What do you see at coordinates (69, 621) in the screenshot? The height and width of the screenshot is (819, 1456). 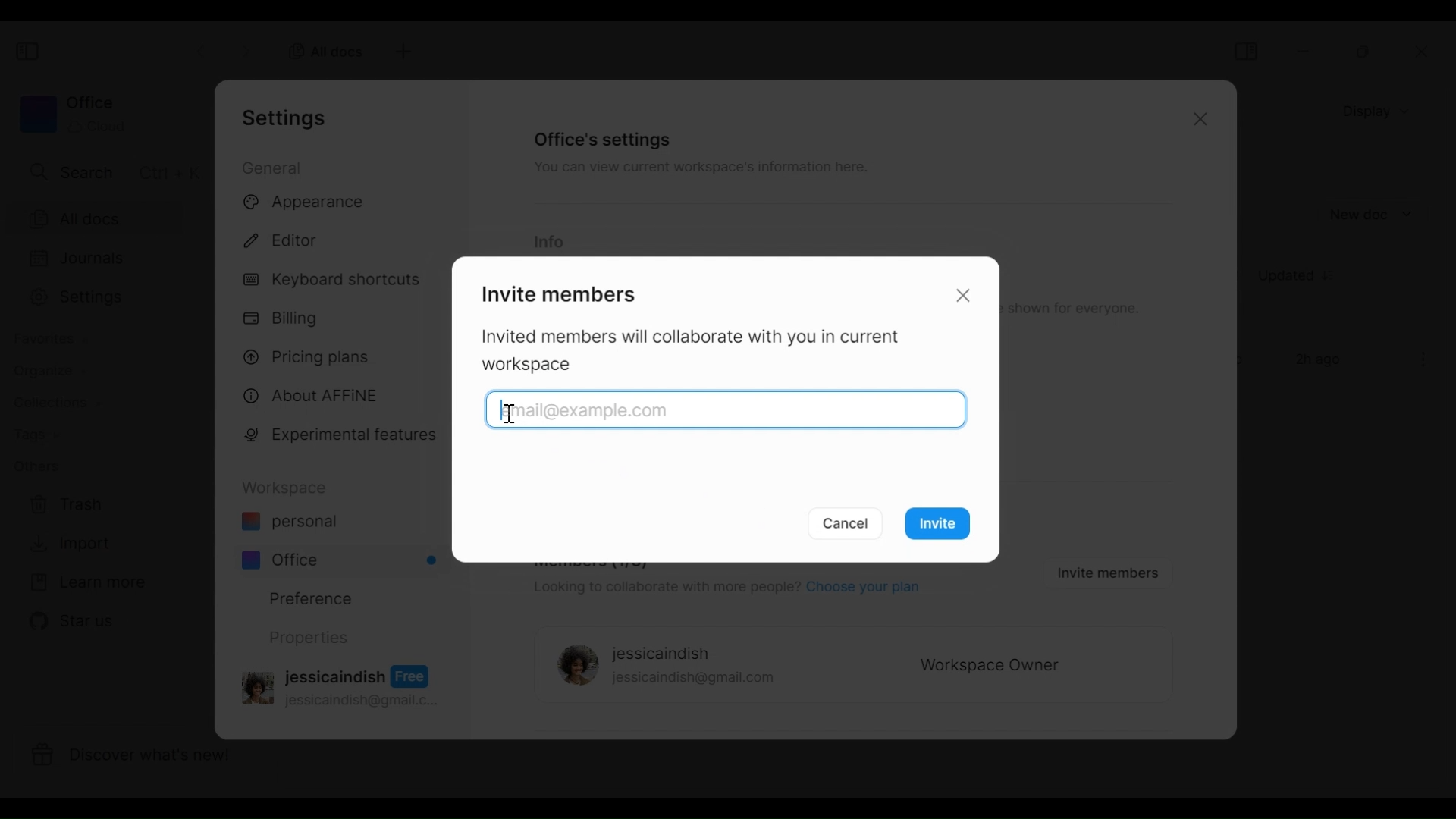 I see `Star us` at bounding box center [69, 621].